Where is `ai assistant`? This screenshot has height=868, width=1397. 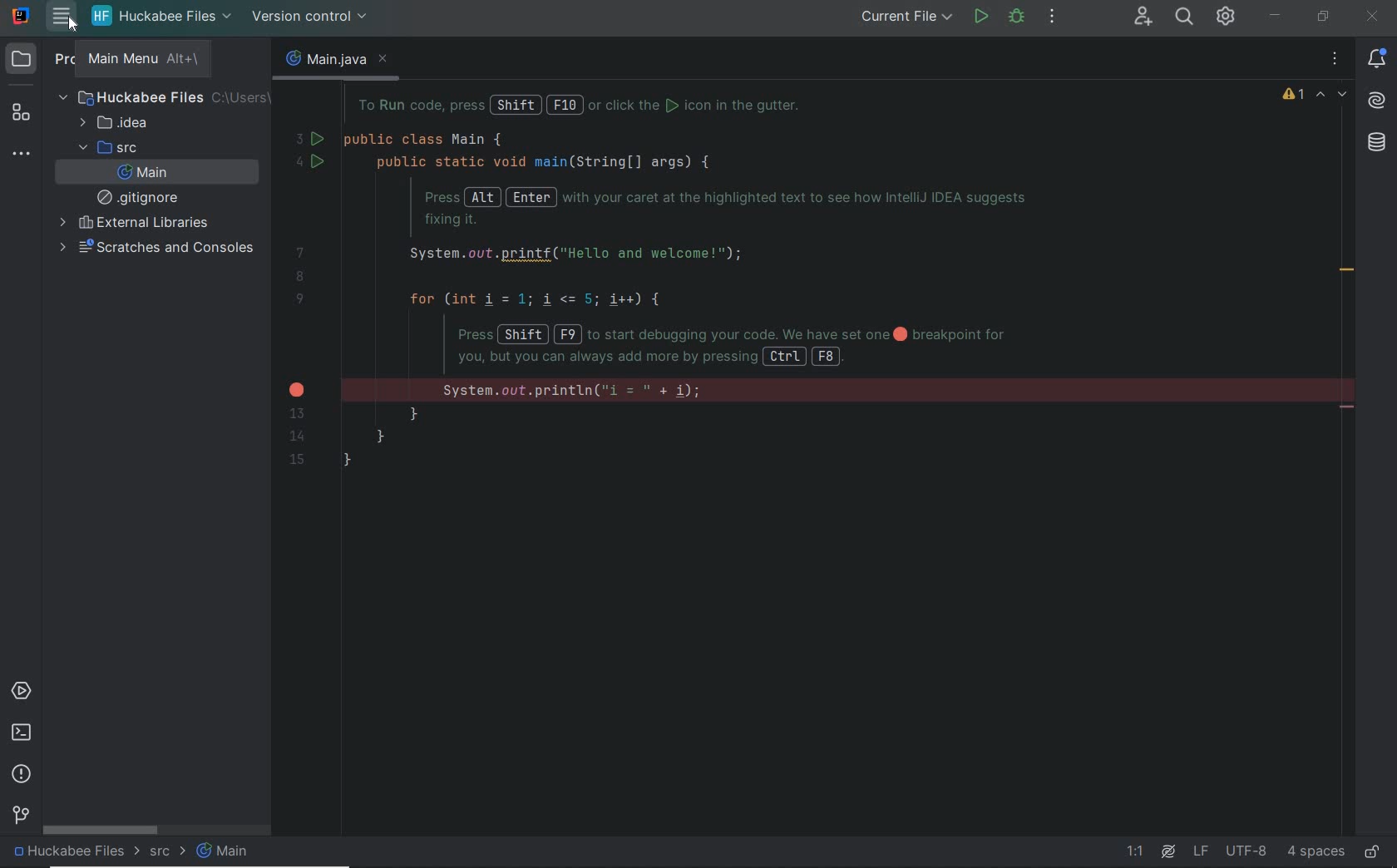
ai assistant is located at coordinates (1167, 851).